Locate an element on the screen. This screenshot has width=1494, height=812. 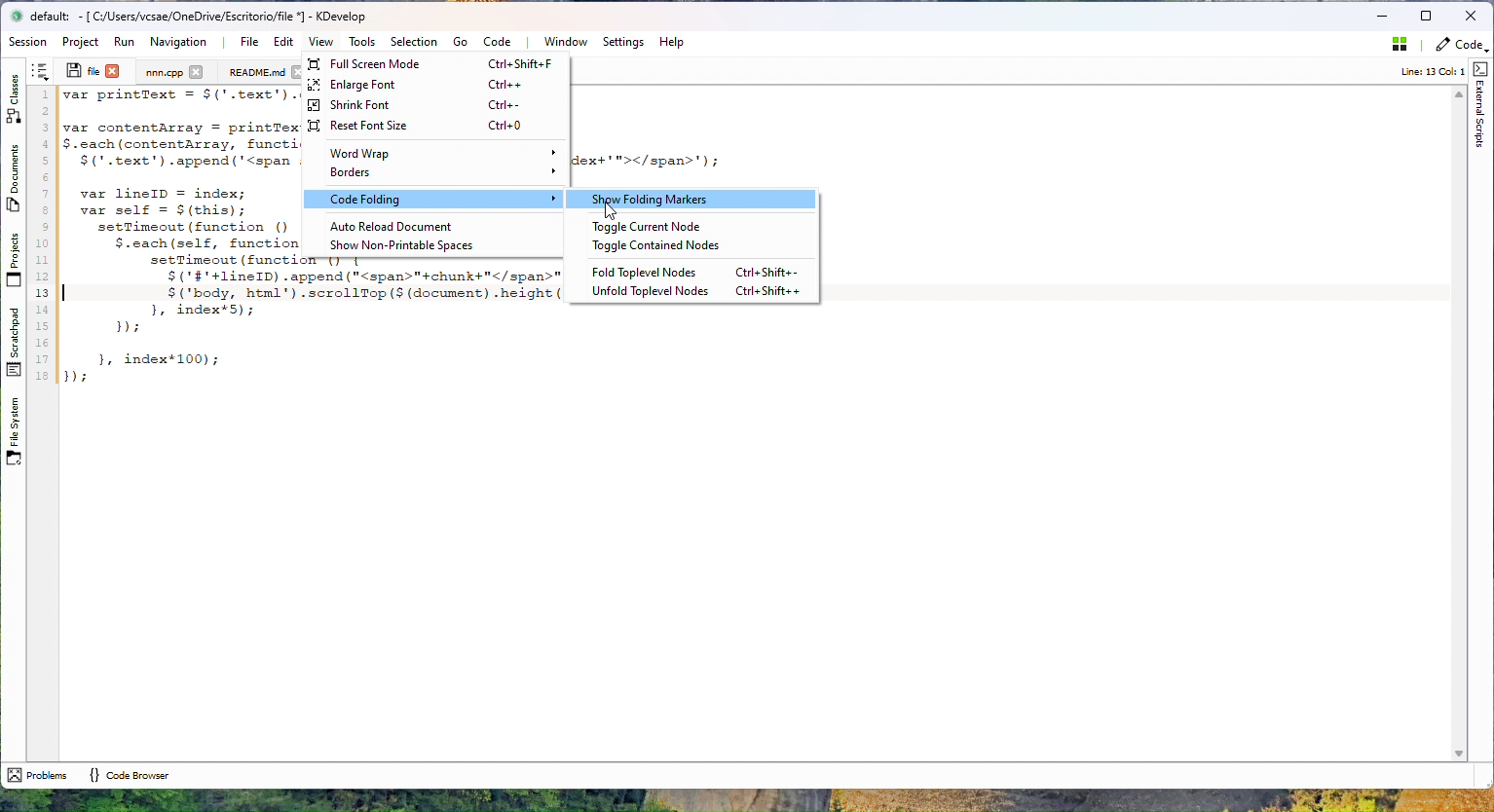
Show sorted list is located at coordinates (40, 71).